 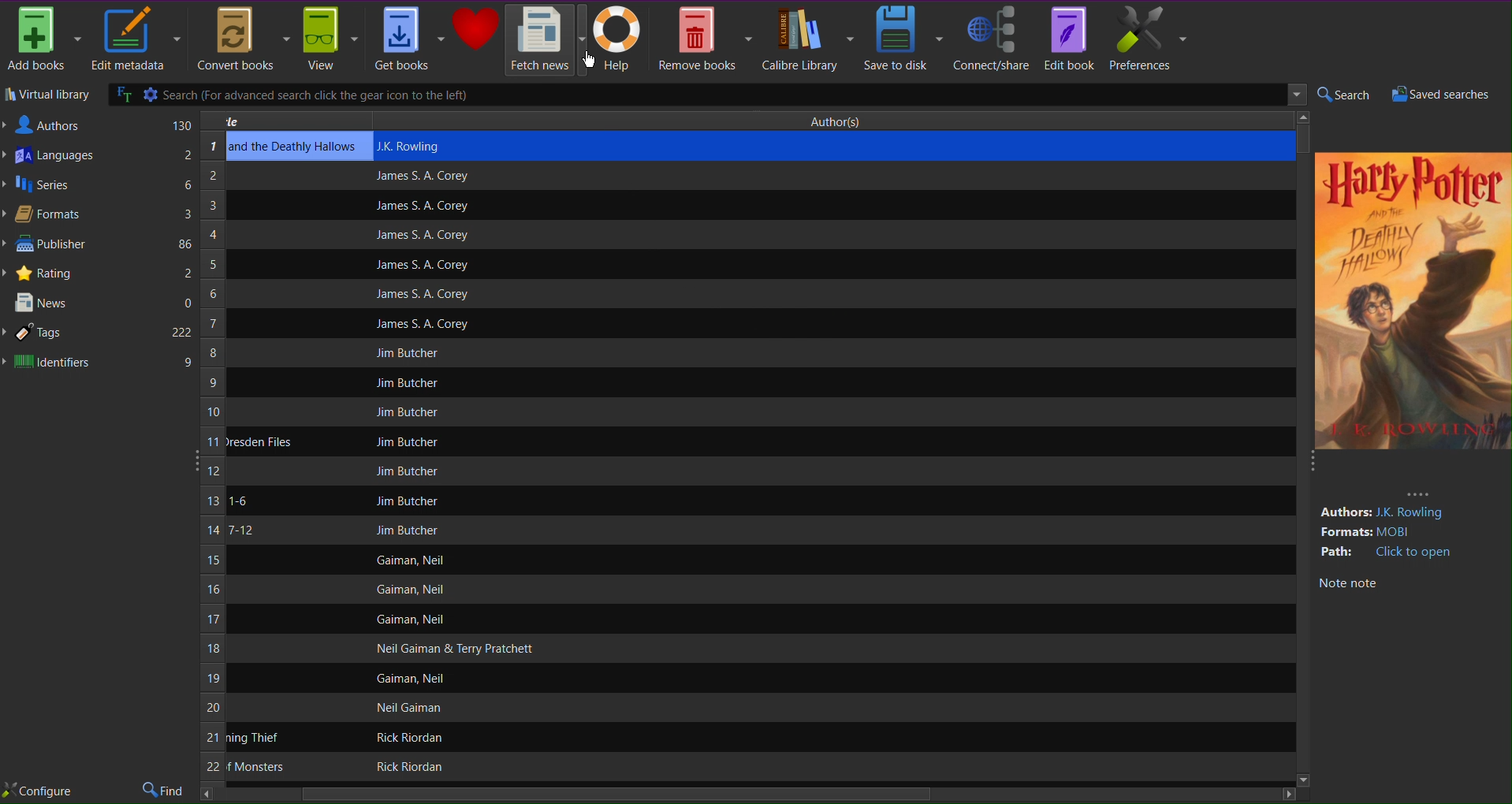 What do you see at coordinates (212, 459) in the screenshot?
I see `Entery number` at bounding box center [212, 459].